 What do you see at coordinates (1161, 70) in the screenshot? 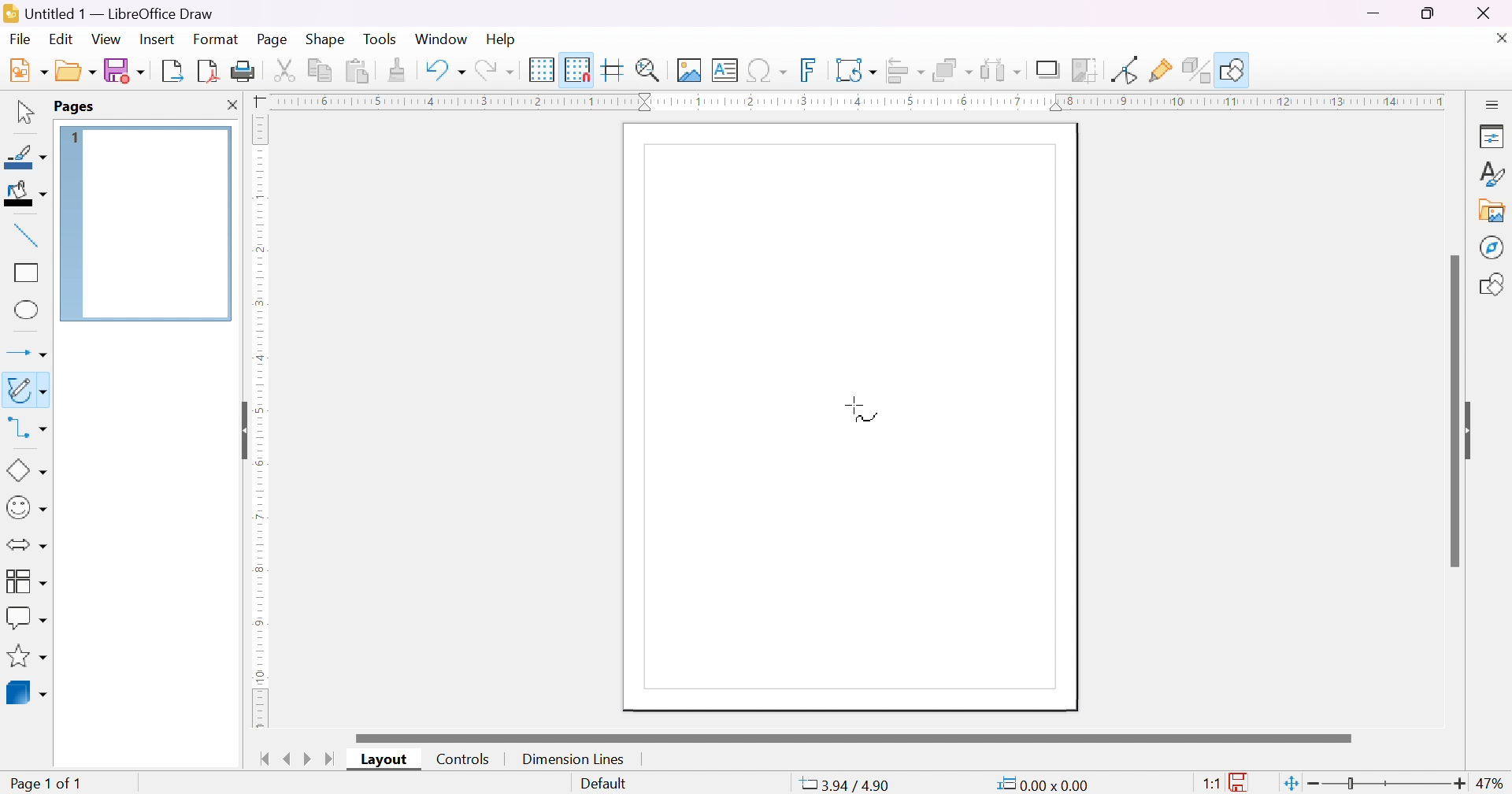
I see `Show gluepoint functions` at bounding box center [1161, 70].